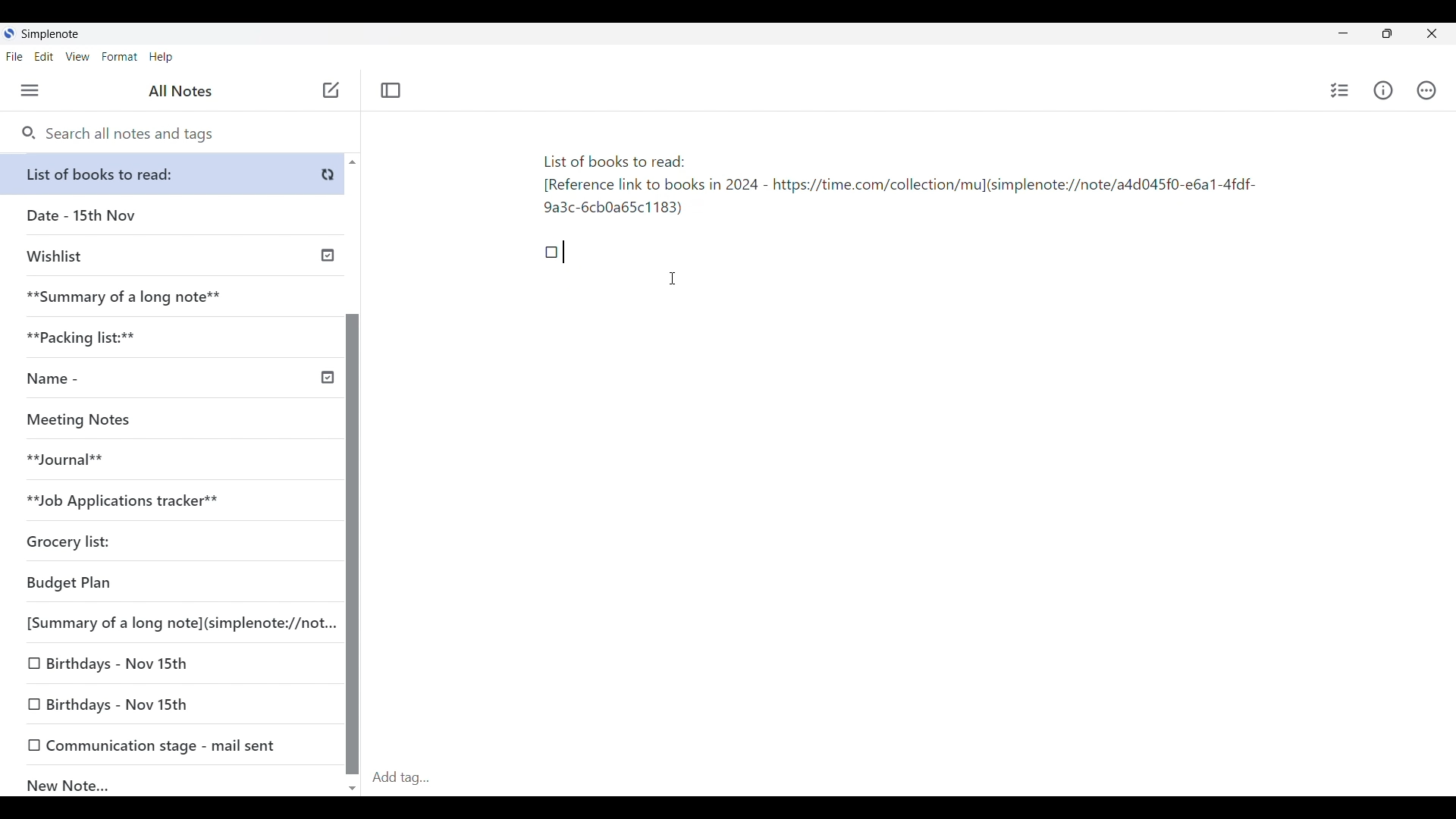  I want to click on Edit, so click(44, 57).